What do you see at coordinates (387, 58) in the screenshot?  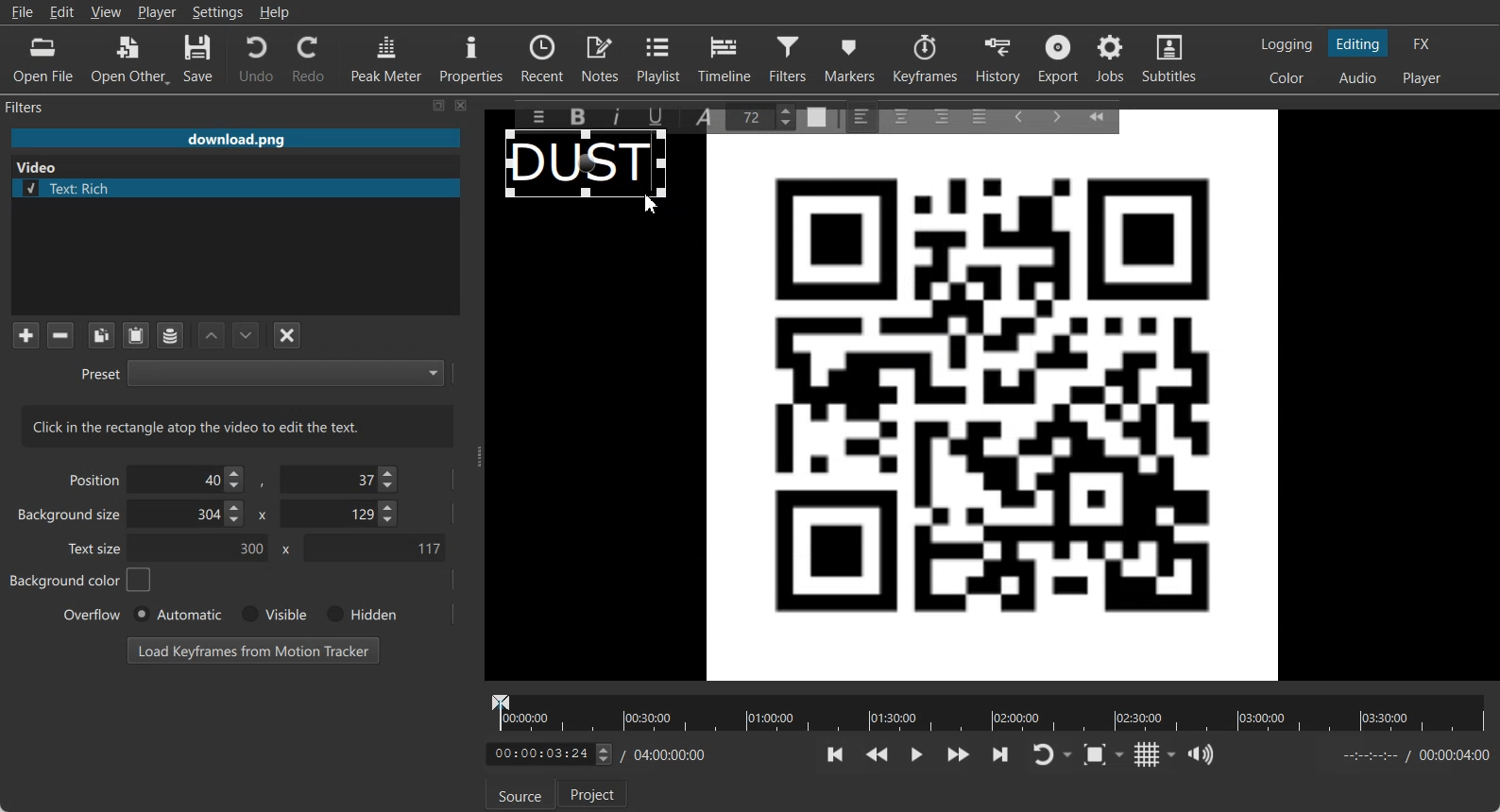 I see `Peak Meter` at bounding box center [387, 58].